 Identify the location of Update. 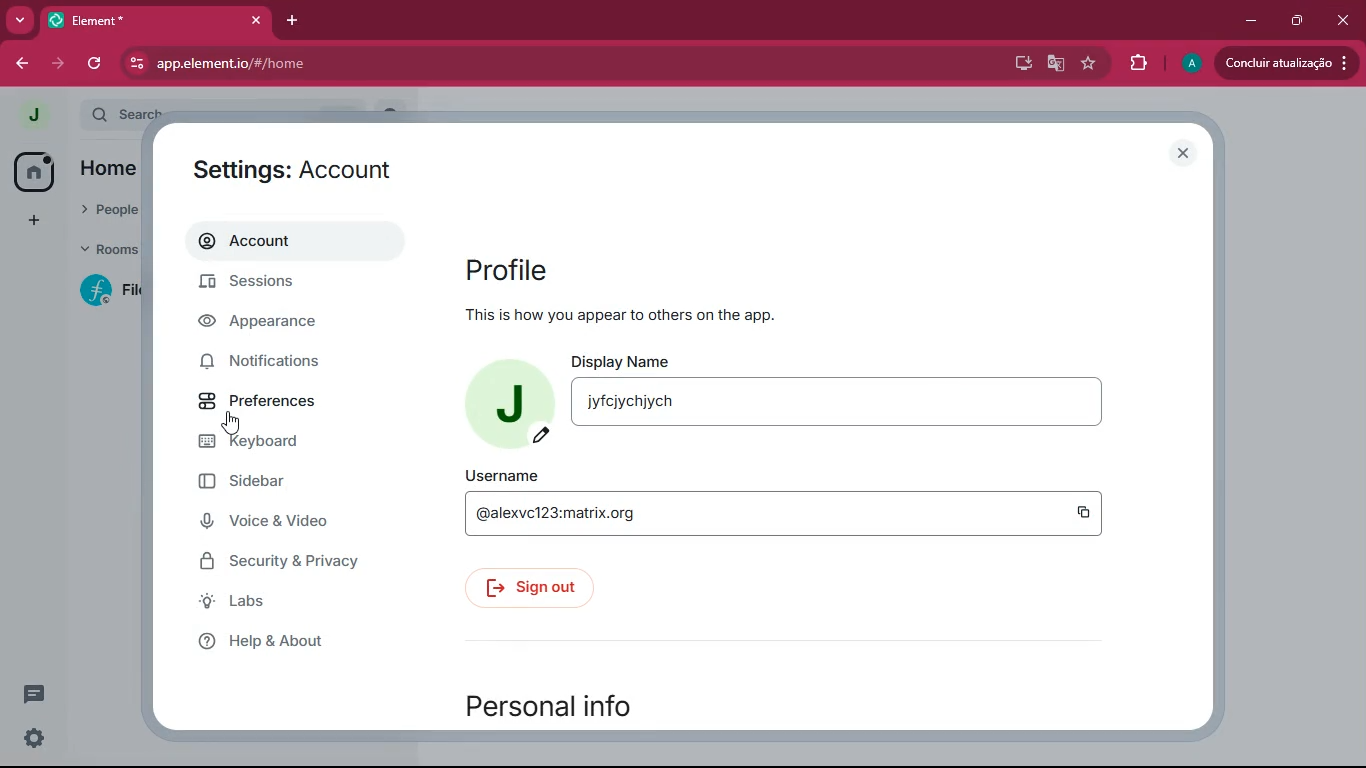
(1289, 63).